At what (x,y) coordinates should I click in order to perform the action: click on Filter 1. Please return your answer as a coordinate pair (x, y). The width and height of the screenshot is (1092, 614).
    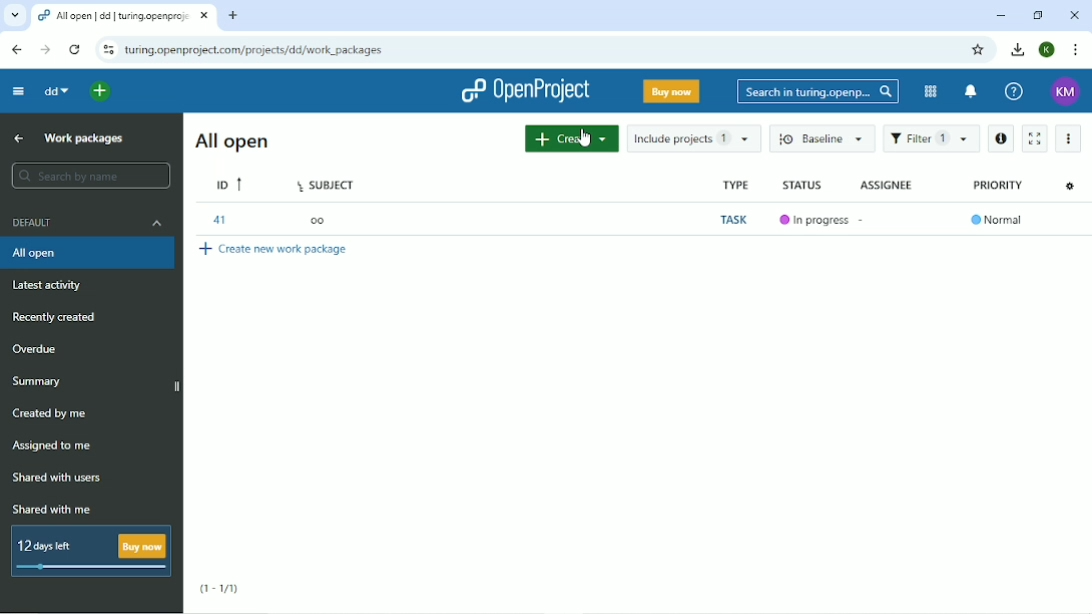
    Looking at the image, I should click on (931, 139).